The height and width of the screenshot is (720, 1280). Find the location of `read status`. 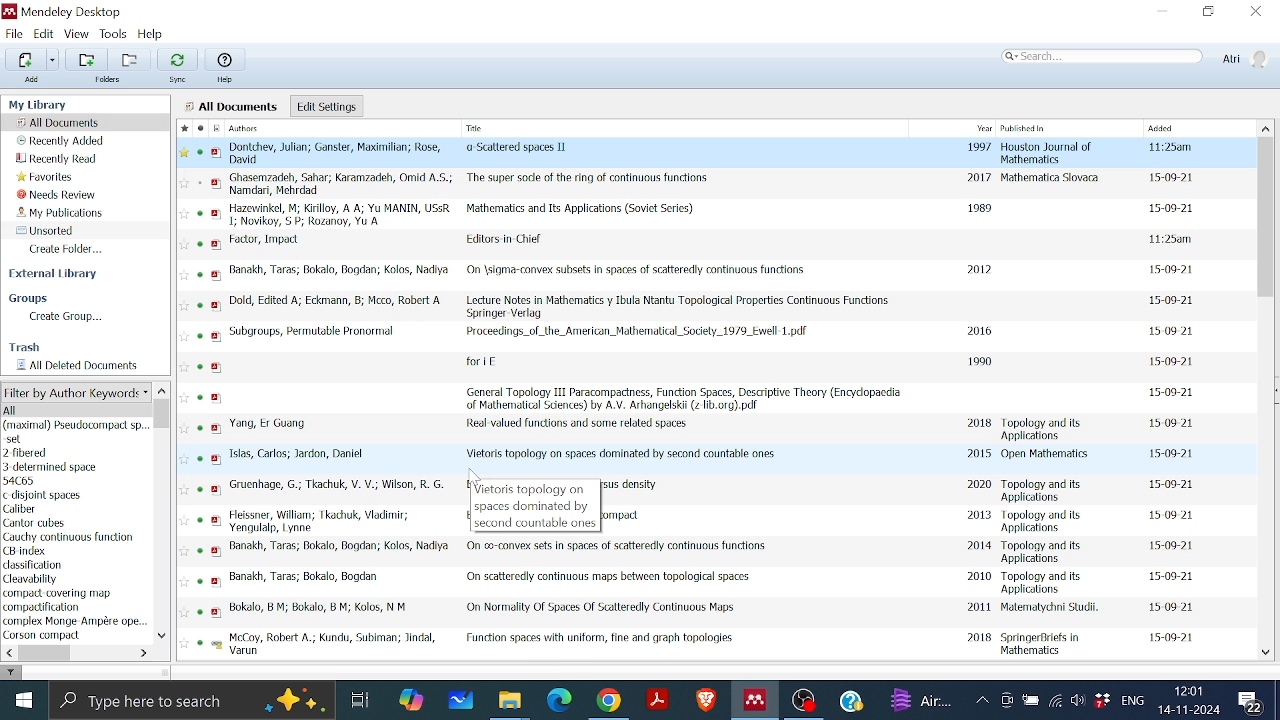

read status is located at coordinates (200, 335).